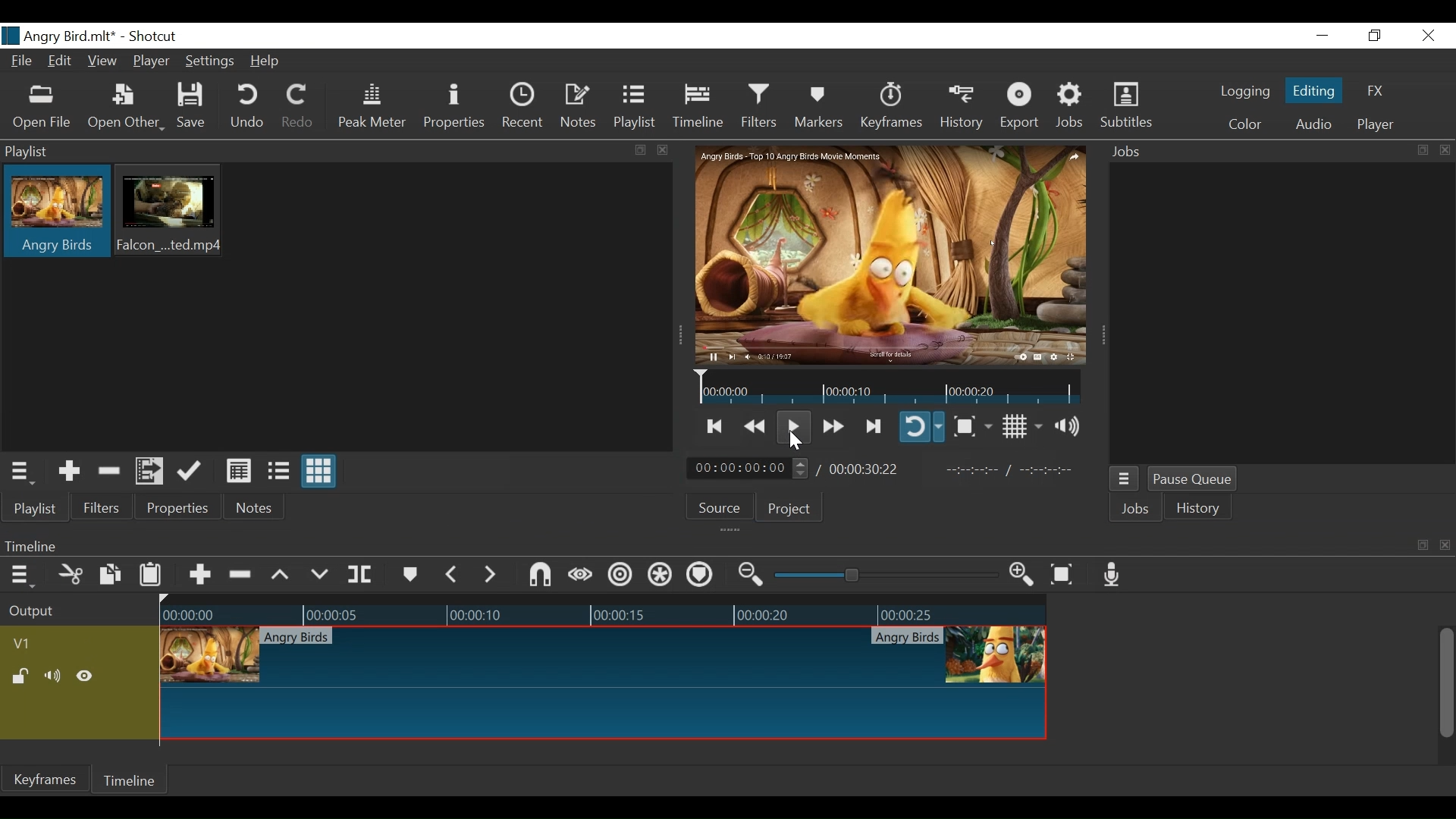  Describe the element at coordinates (1021, 576) in the screenshot. I see `Zoom timeline in` at that location.